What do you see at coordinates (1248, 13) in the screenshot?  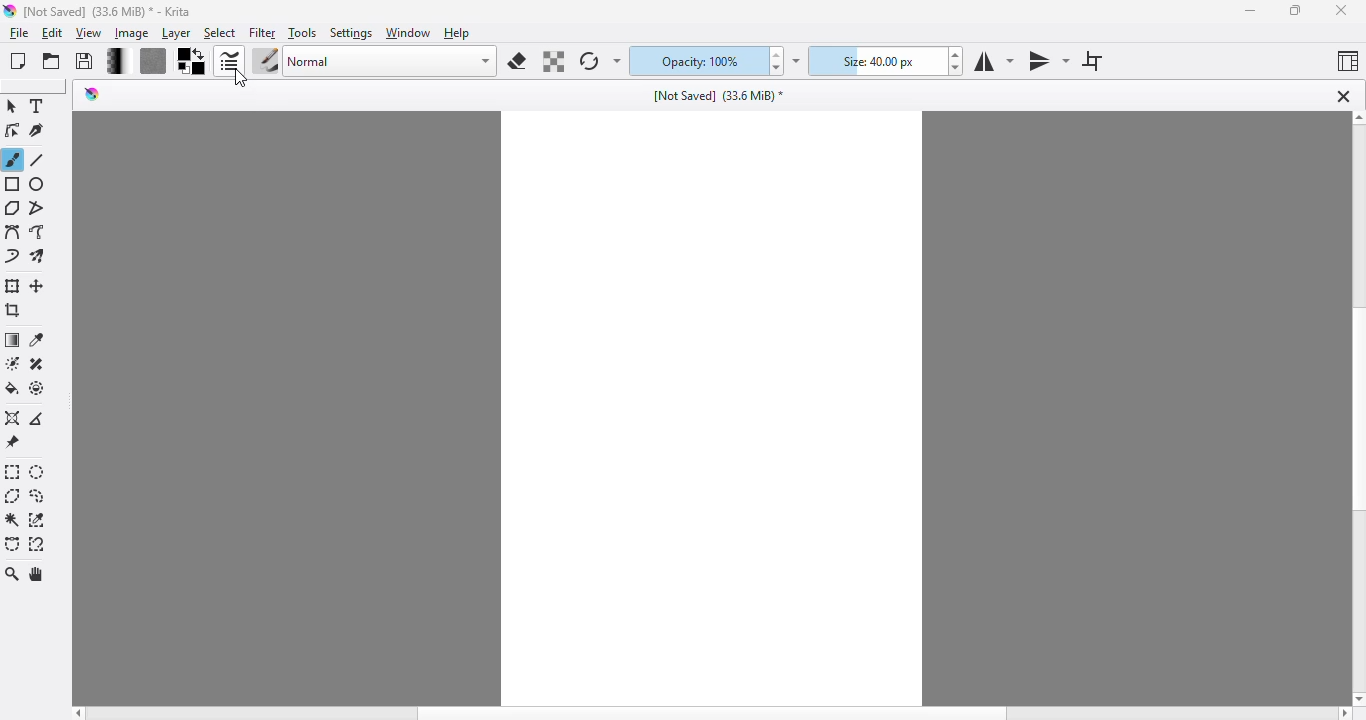 I see `minimize` at bounding box center [1248, 13].